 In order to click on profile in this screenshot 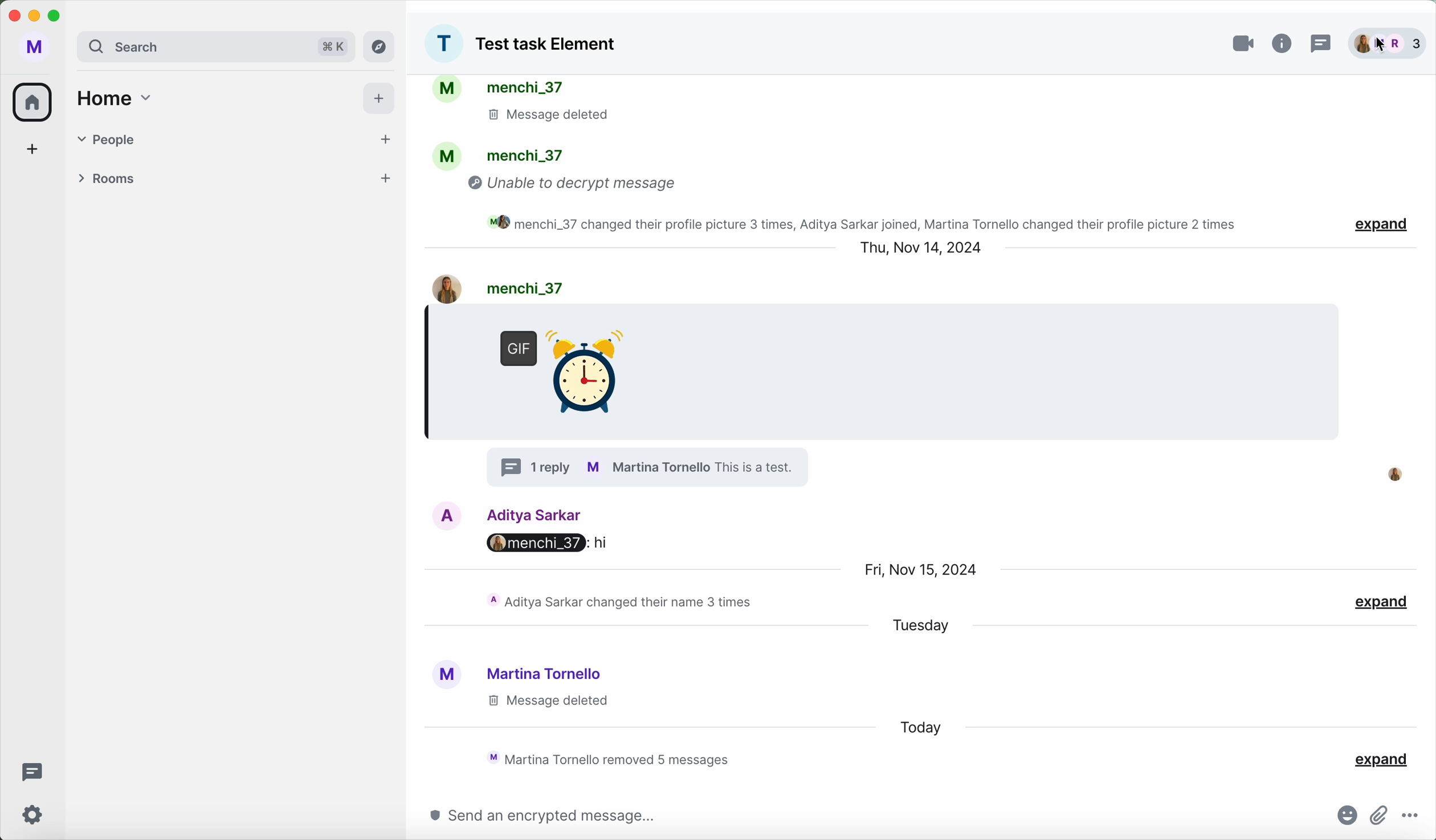, I will do `click(448, 91)`.